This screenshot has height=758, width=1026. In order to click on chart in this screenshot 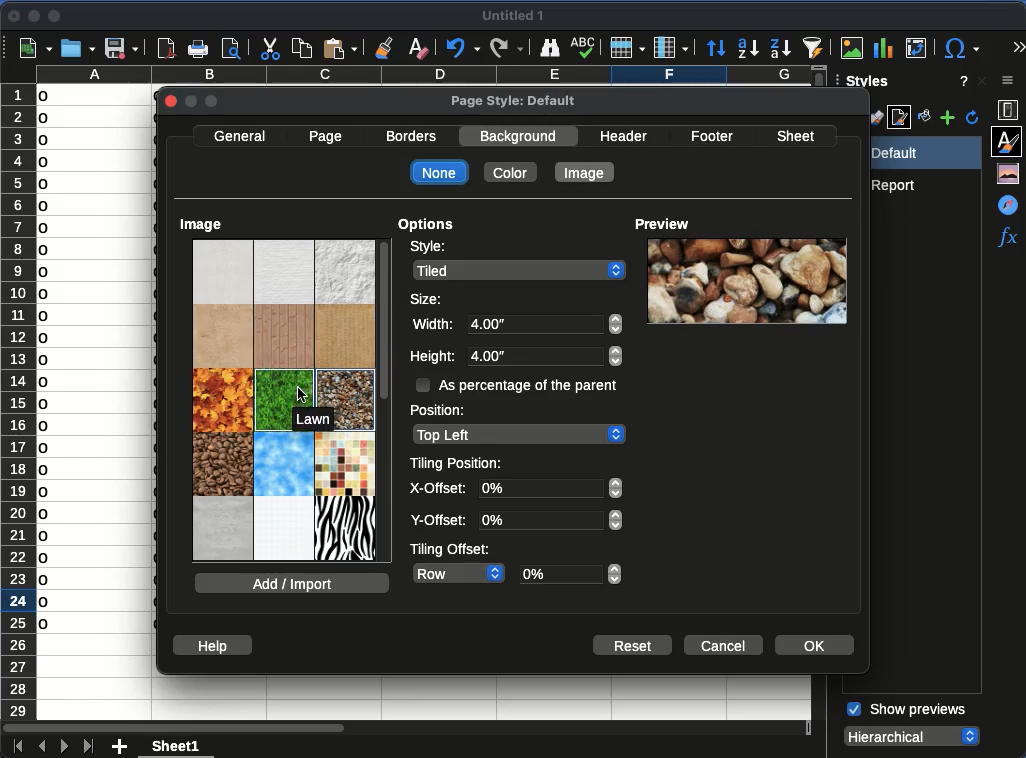, I will do `click(882, 47)`.